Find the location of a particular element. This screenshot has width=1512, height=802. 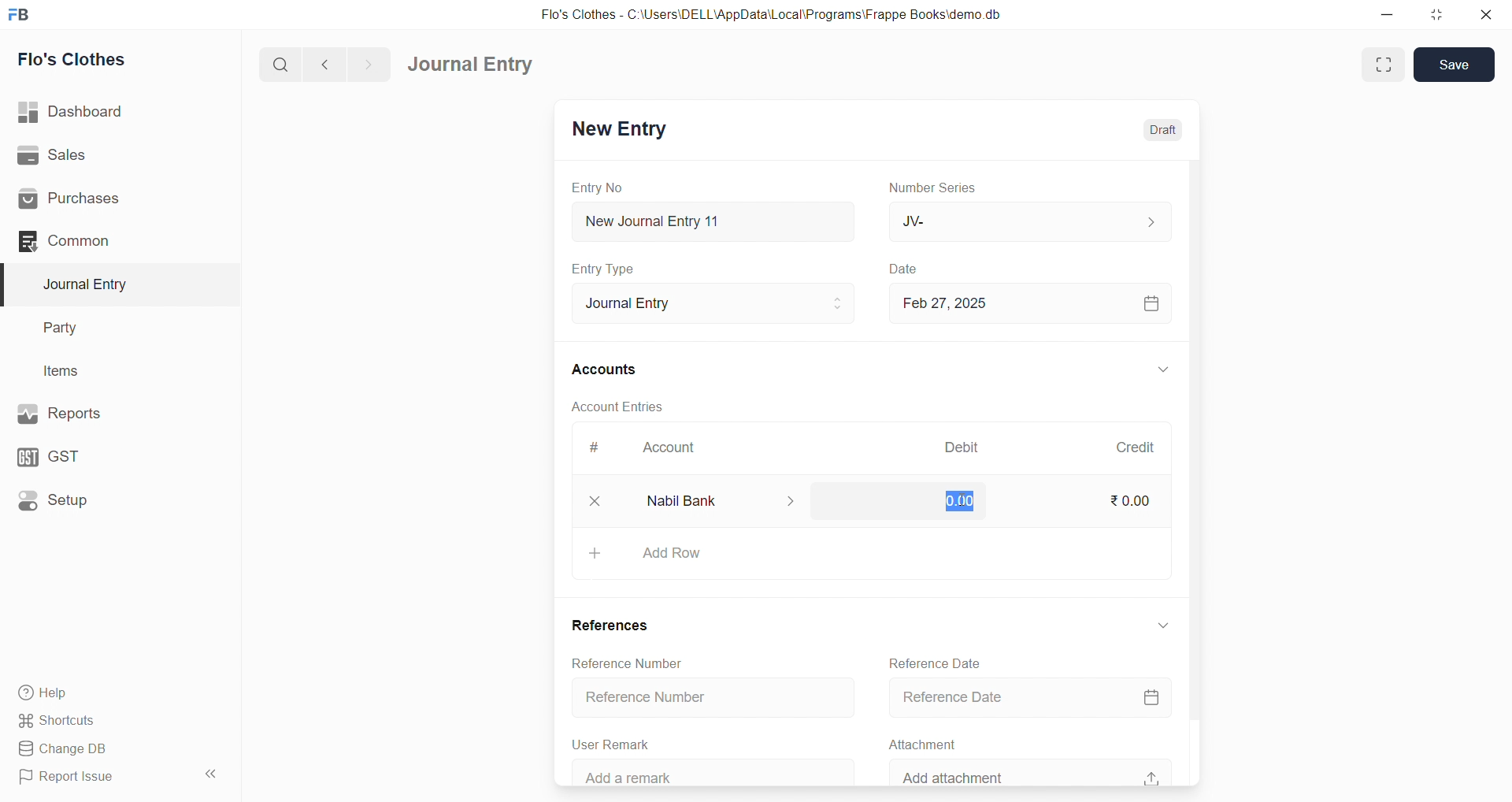

Common is located at coordinates (94, 242).